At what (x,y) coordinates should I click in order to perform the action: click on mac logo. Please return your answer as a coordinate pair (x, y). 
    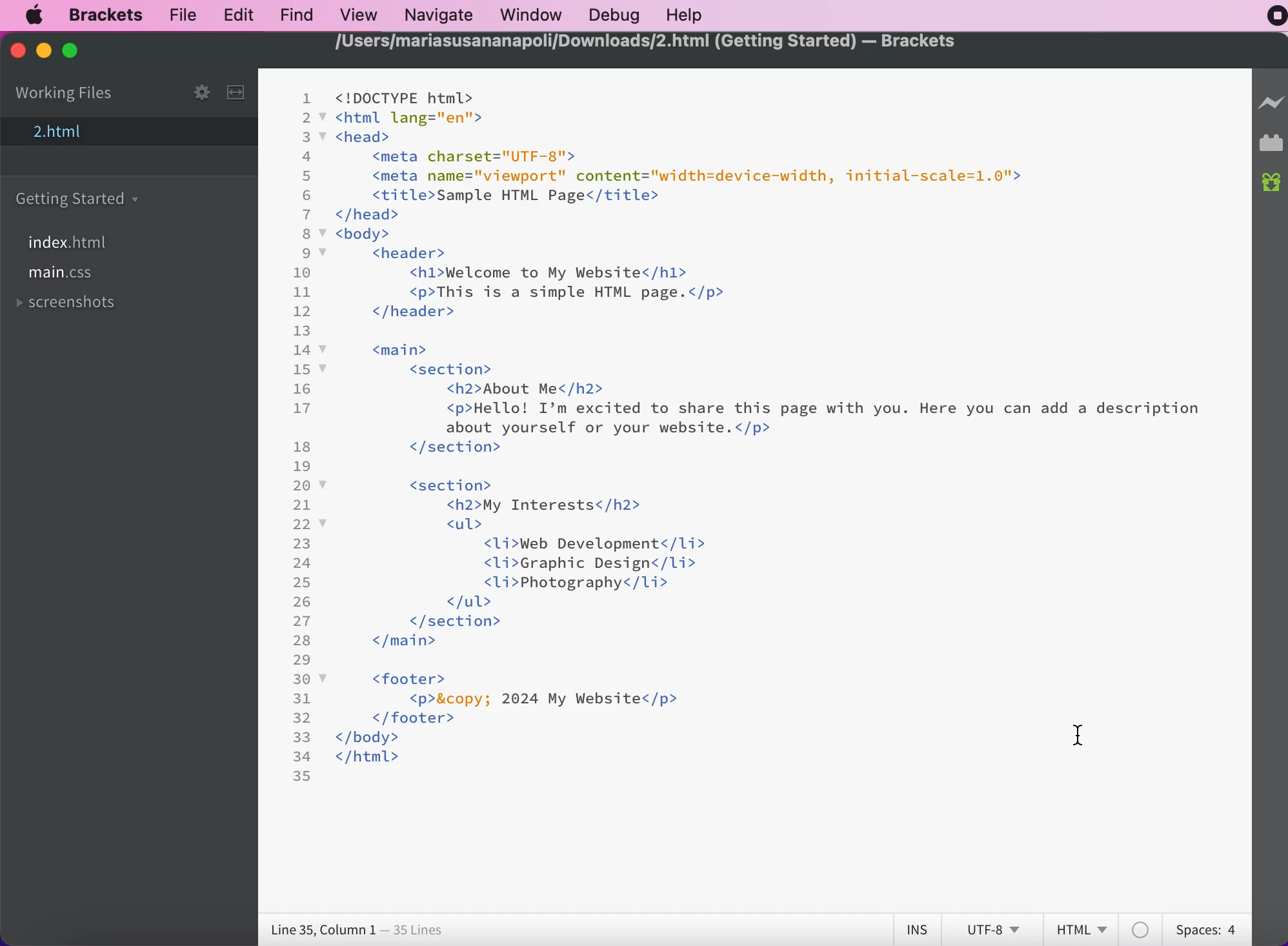
    Looking at the image, I should click on (37, 16).